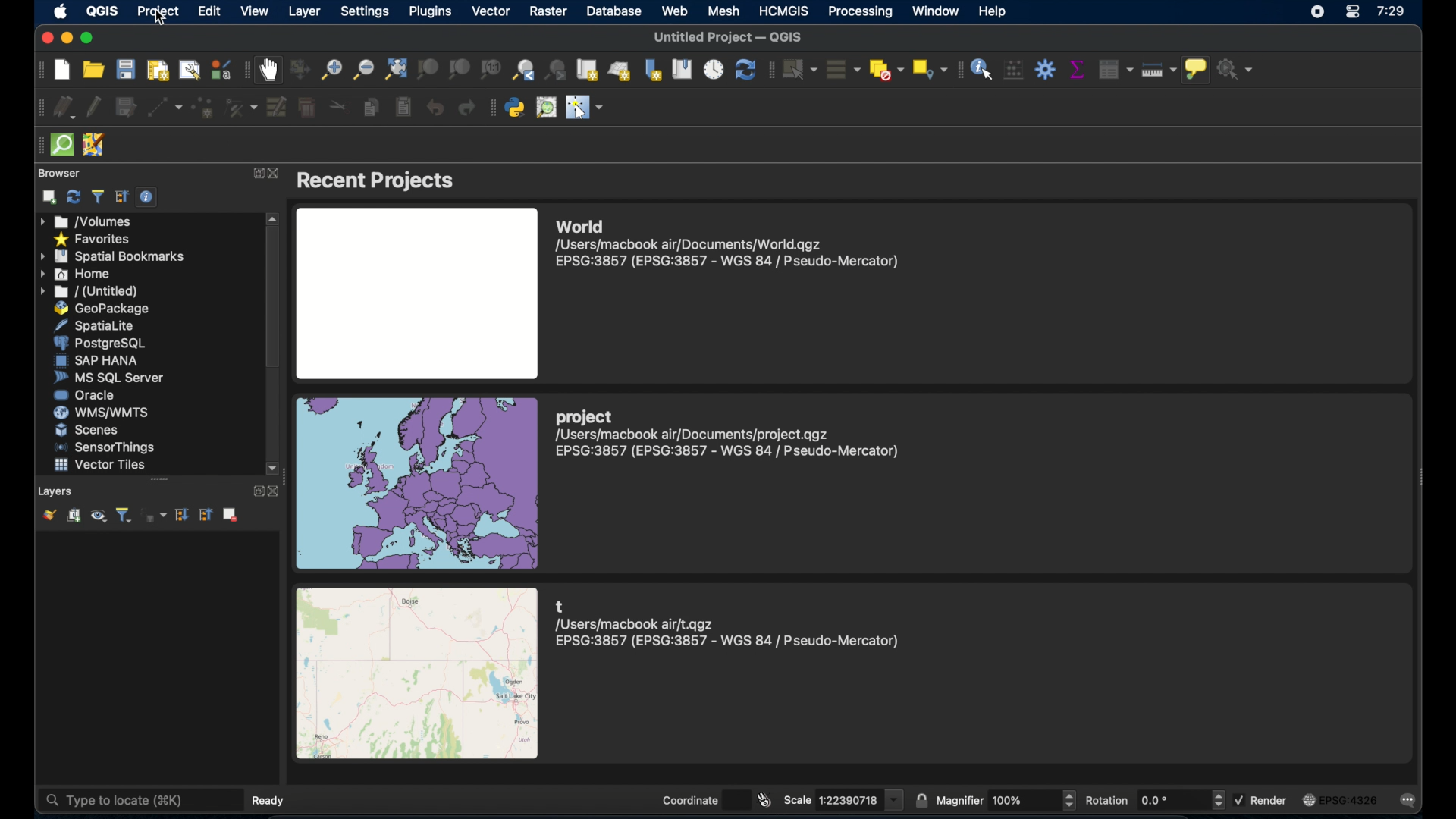  I want to click on filter browser, so click(97, 196).